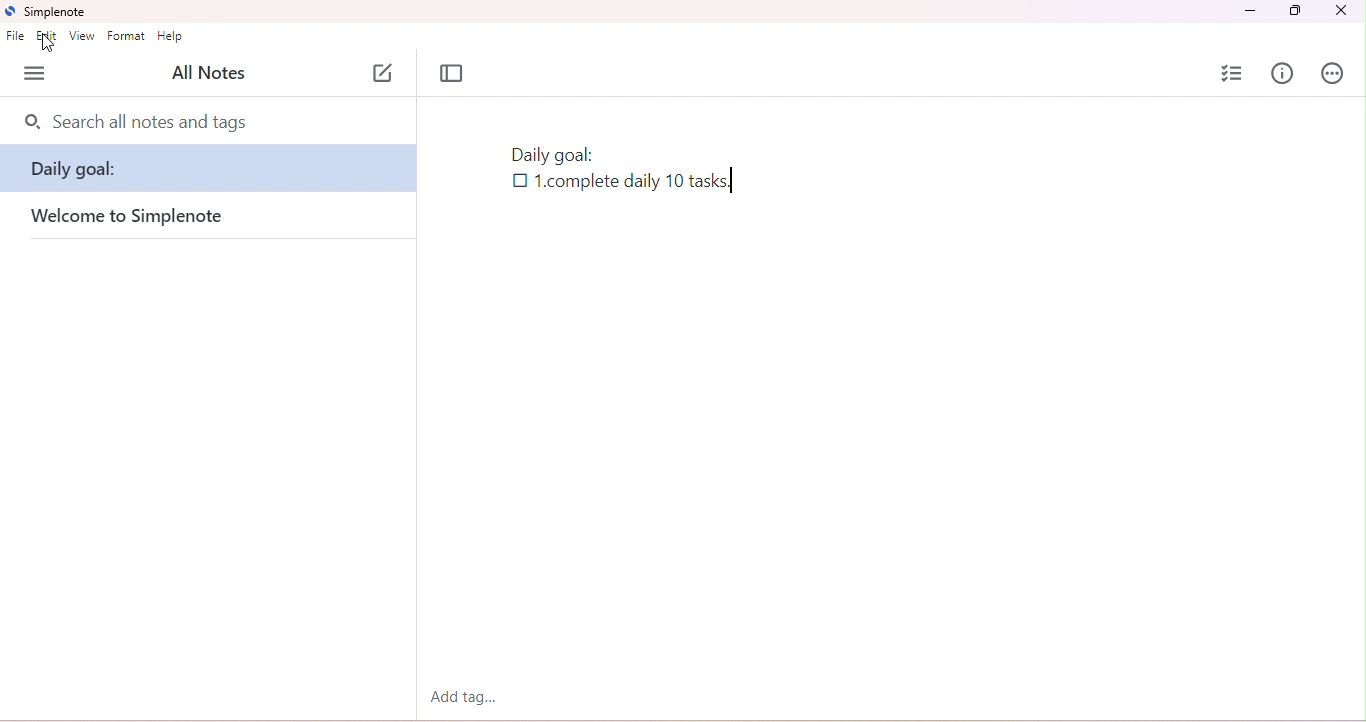 The height and width of the screenshot is (722, 1366). Describe the element at coordinates (459, 695) in the screenshot. I see `add tag` at that location.